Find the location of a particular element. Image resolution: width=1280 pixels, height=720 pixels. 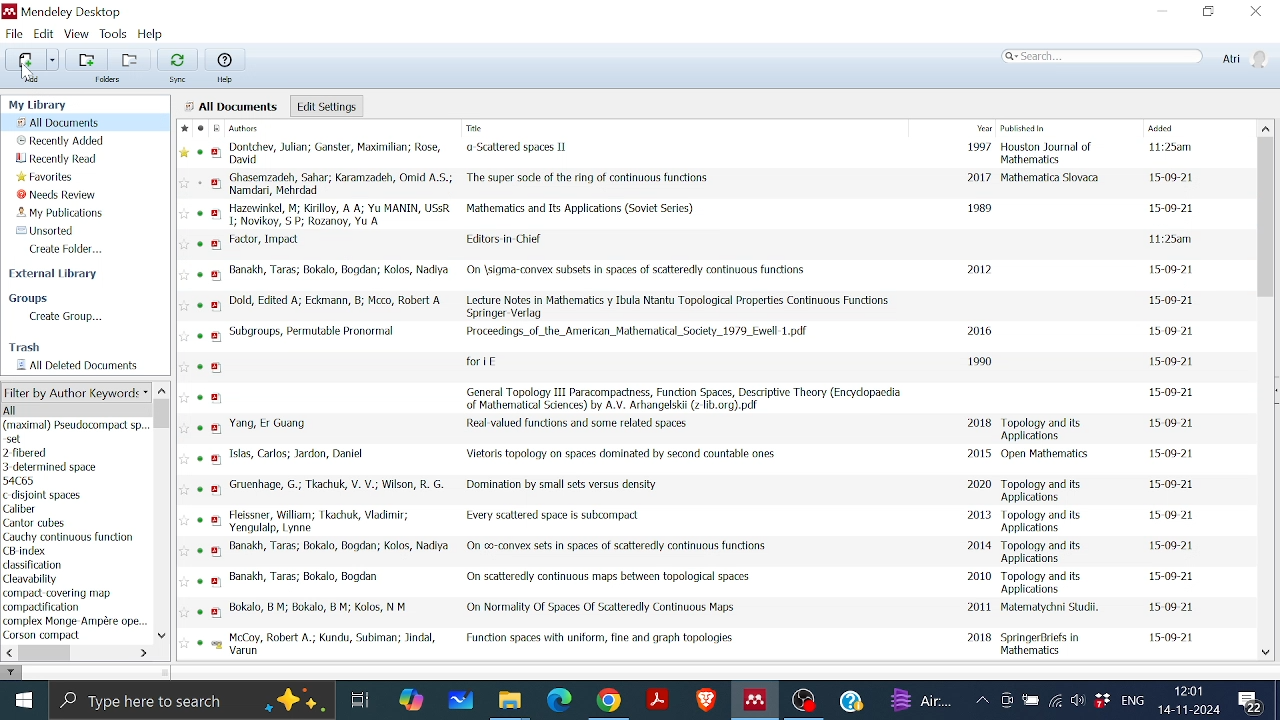

Favourite is located at coordinates (184, 583).